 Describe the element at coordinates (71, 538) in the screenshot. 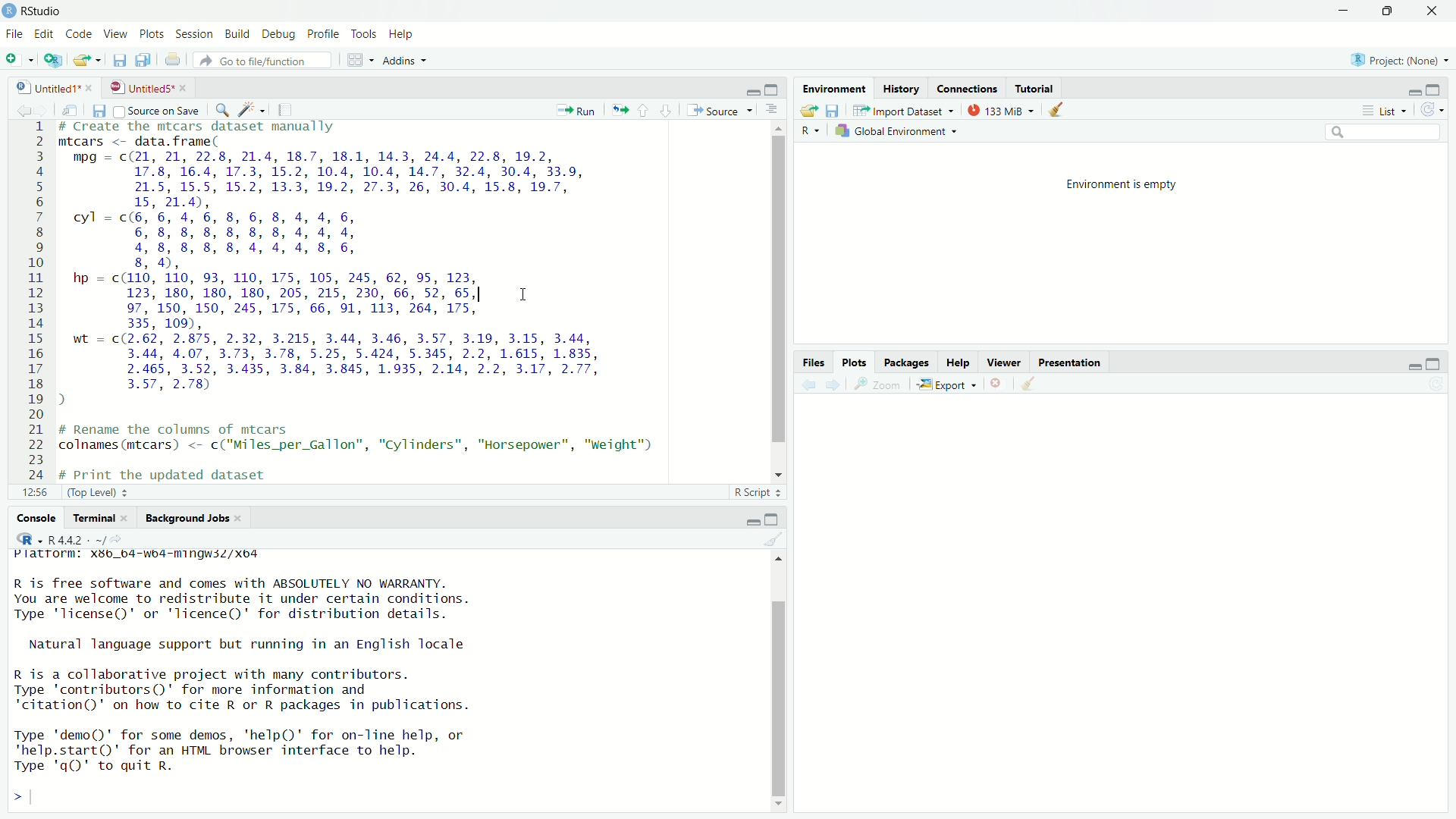

I see `R44 . -` at that location.